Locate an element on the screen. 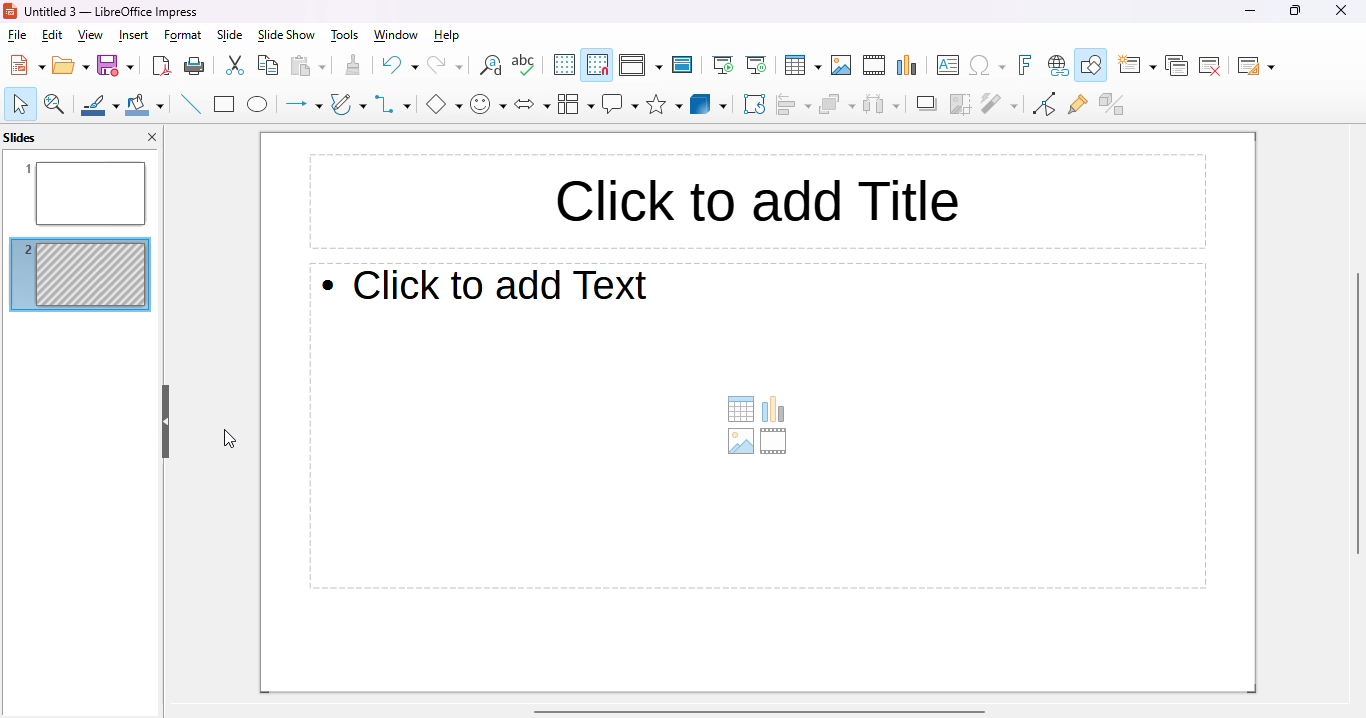 The image size is (1366, 718). export directly as PDF is located at coordinates (162, 66).